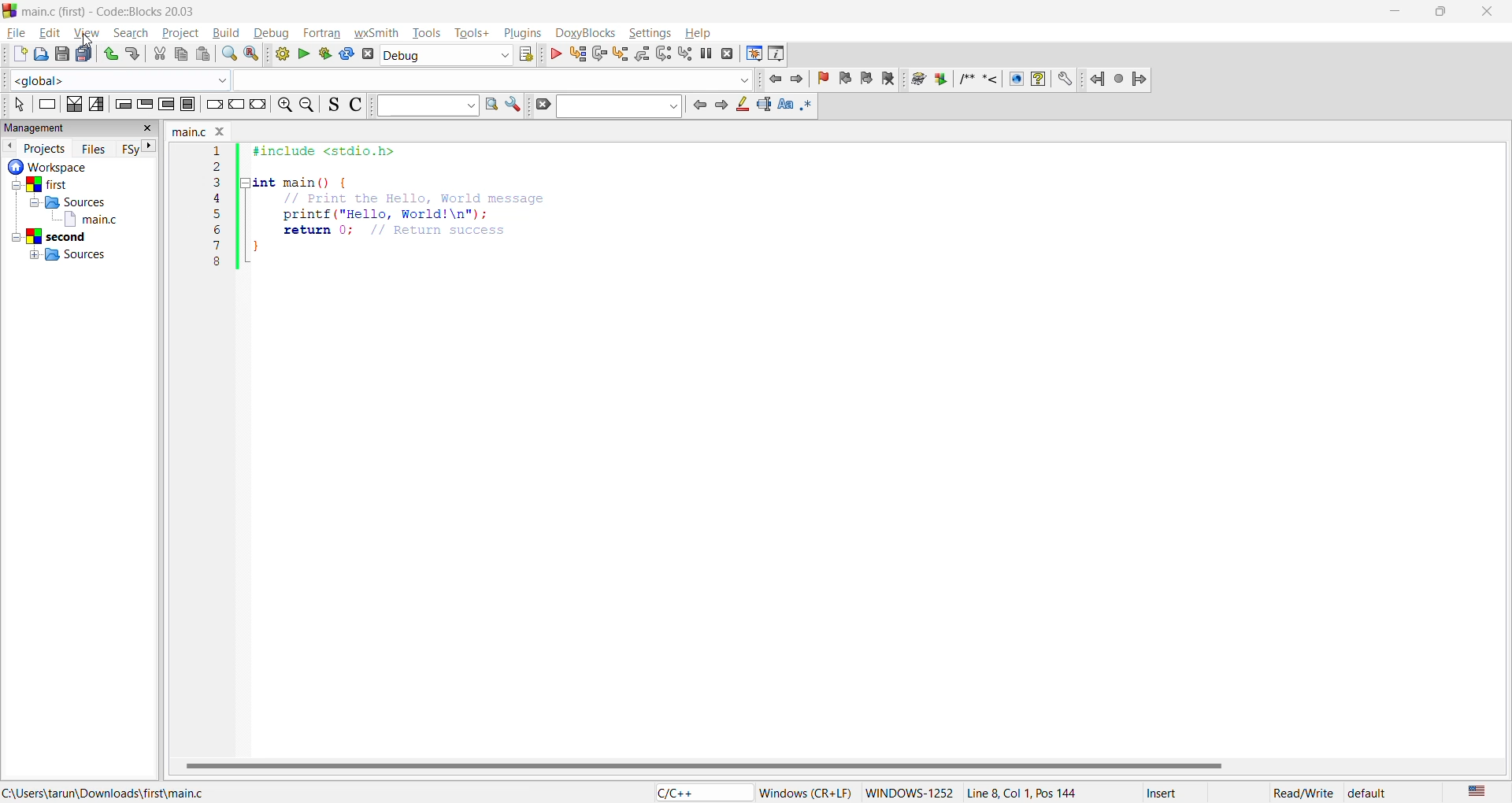  What do you see at coordinates (754, 55) in the screenshot?
I see `debugging windows` at bounding box center [754, 55].